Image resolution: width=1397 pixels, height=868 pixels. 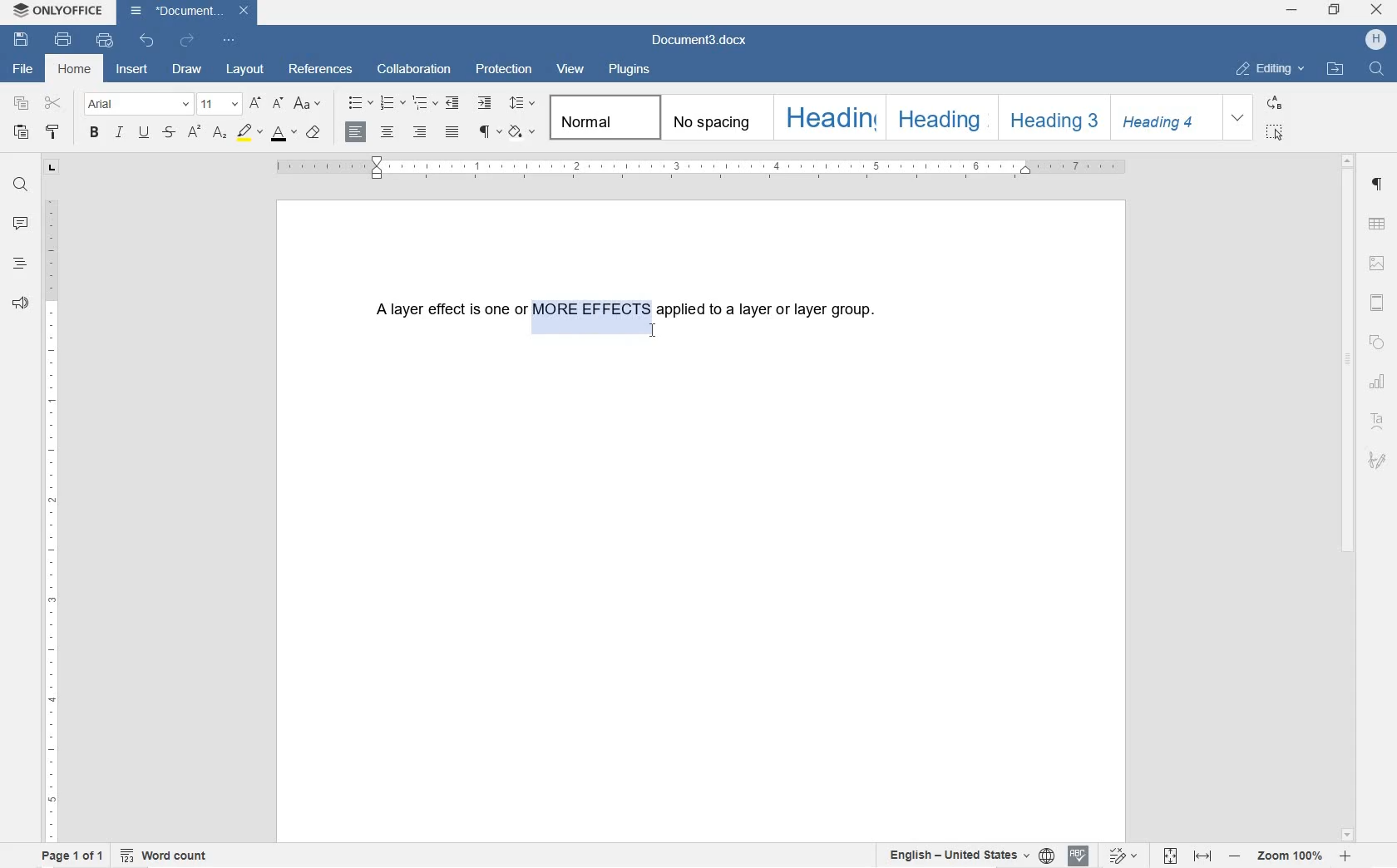 What do you see at coordinates (167, 133) in the screenshot?
I see `STRIKETHROUGH` at bounding box center [167, 133].